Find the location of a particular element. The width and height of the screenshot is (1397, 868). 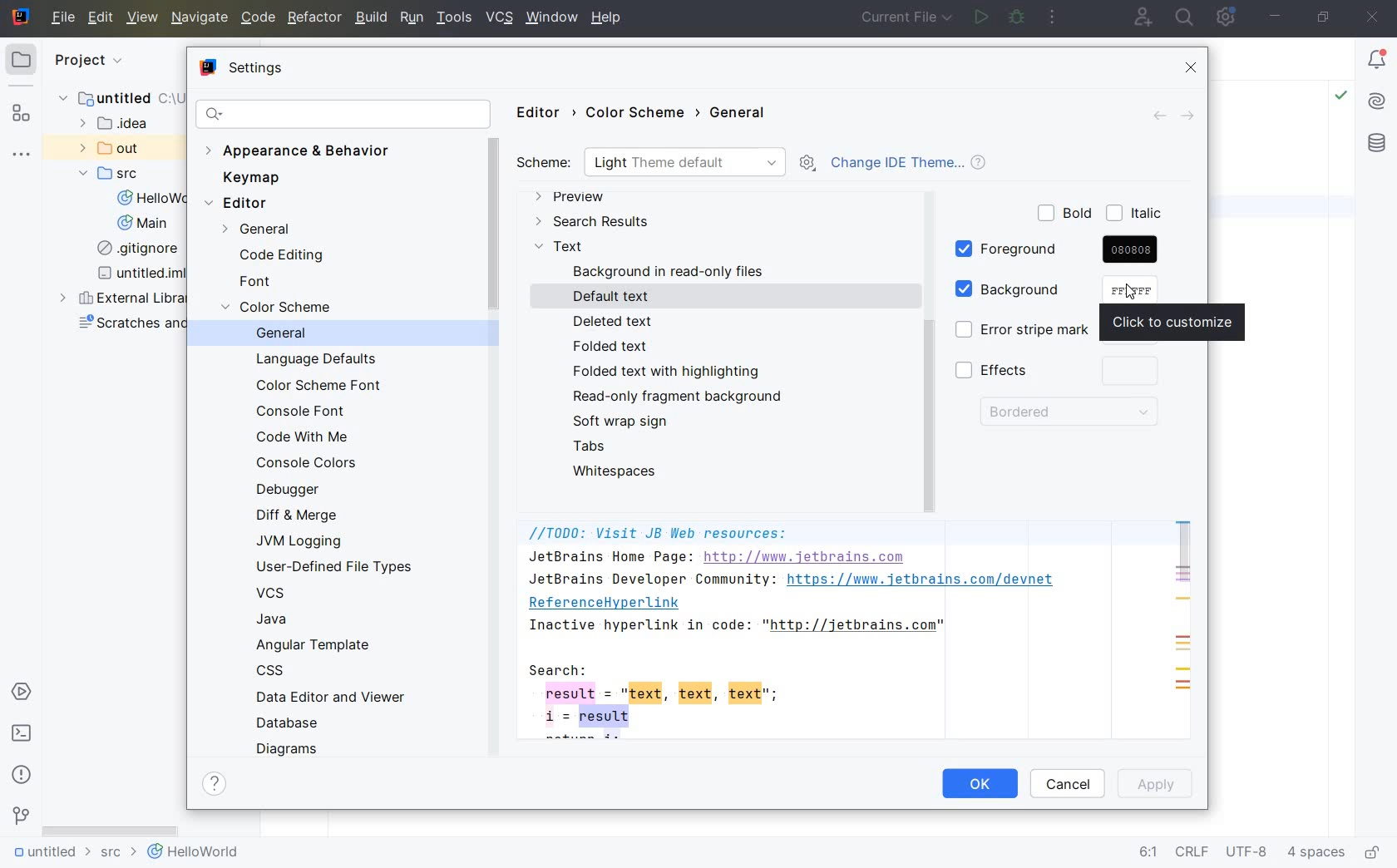

database is located at coordinates (1376, 145).